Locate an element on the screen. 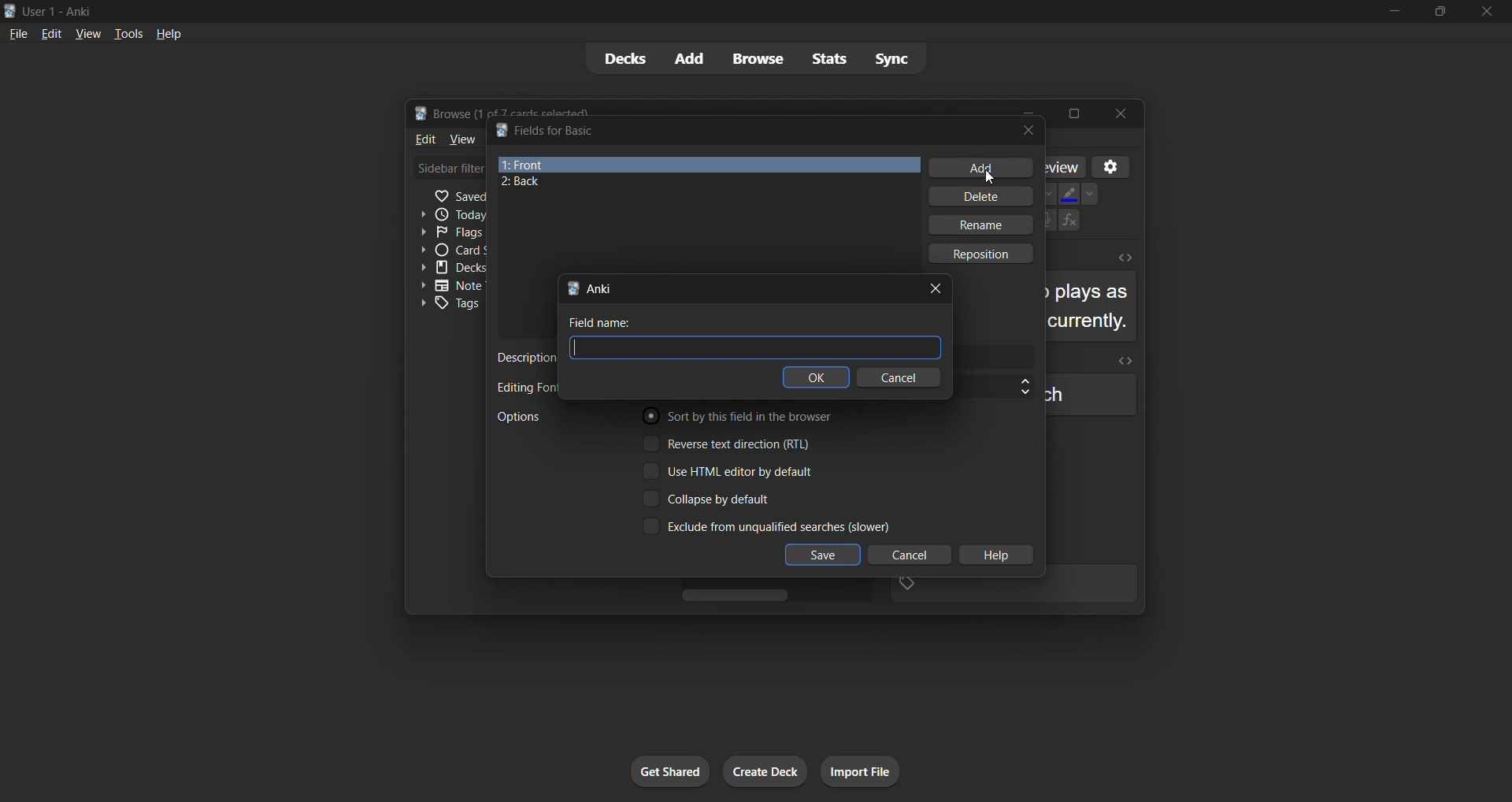  Sort by the field in the browser is located at coordinates (739, 418).